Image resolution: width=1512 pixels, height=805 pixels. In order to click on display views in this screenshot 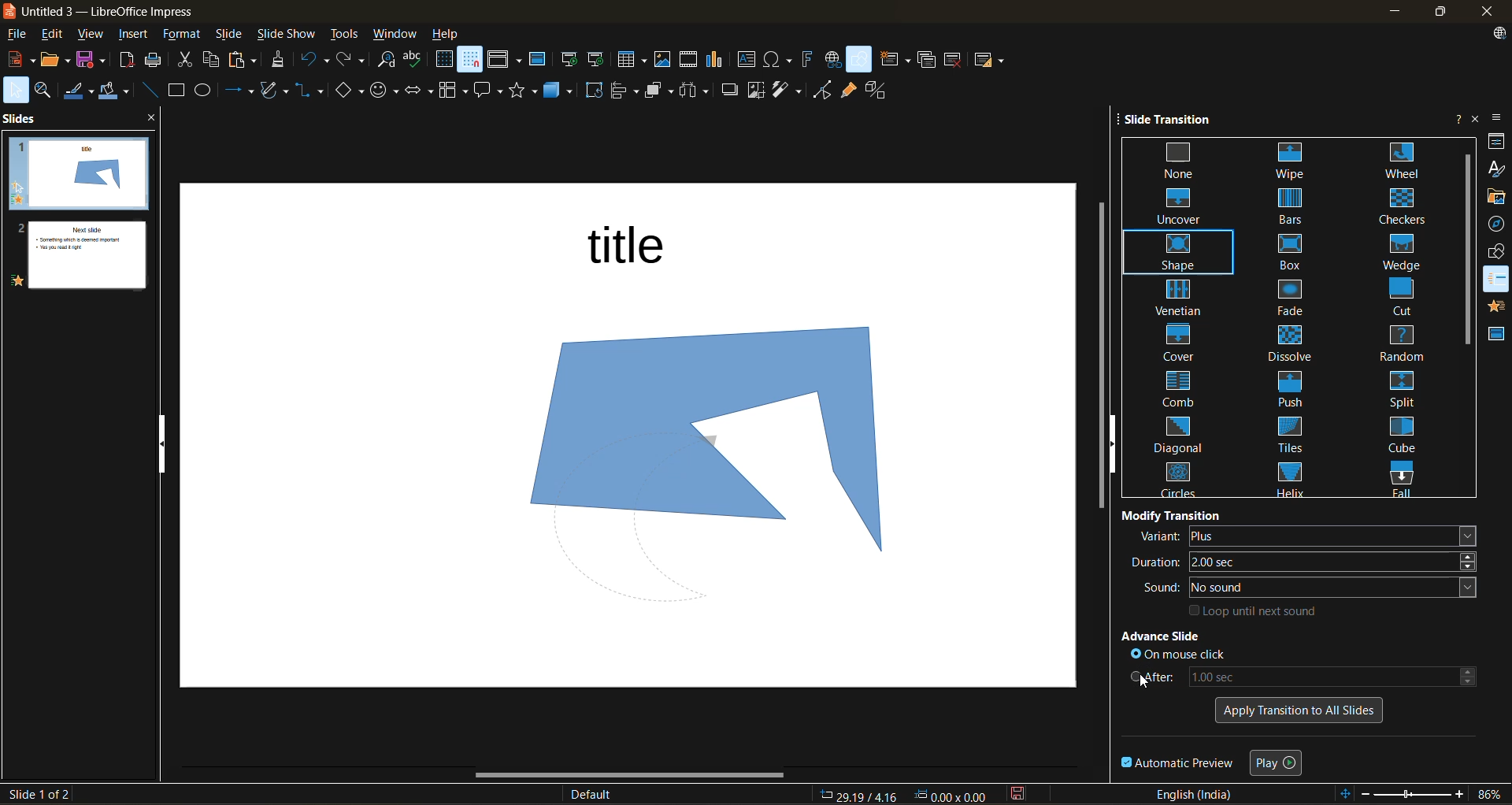, I will do `click(506, 61)`.